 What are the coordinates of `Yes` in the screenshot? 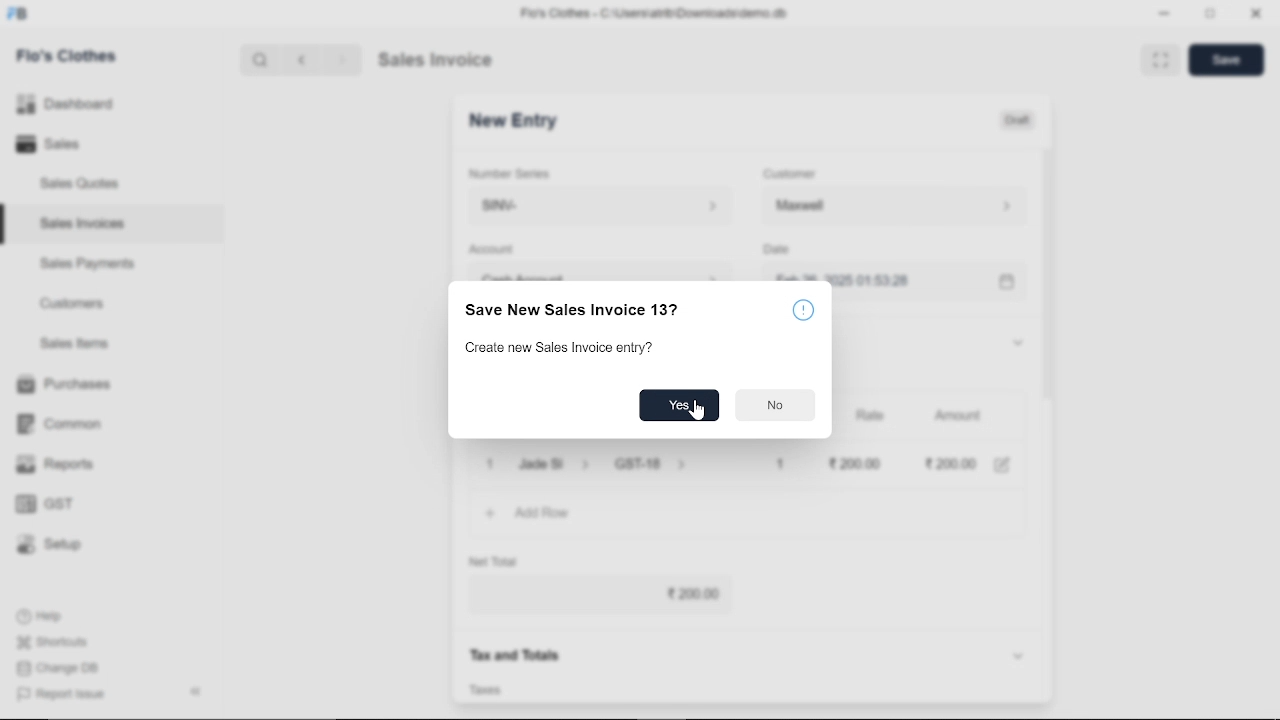 It's located at (681, 406).